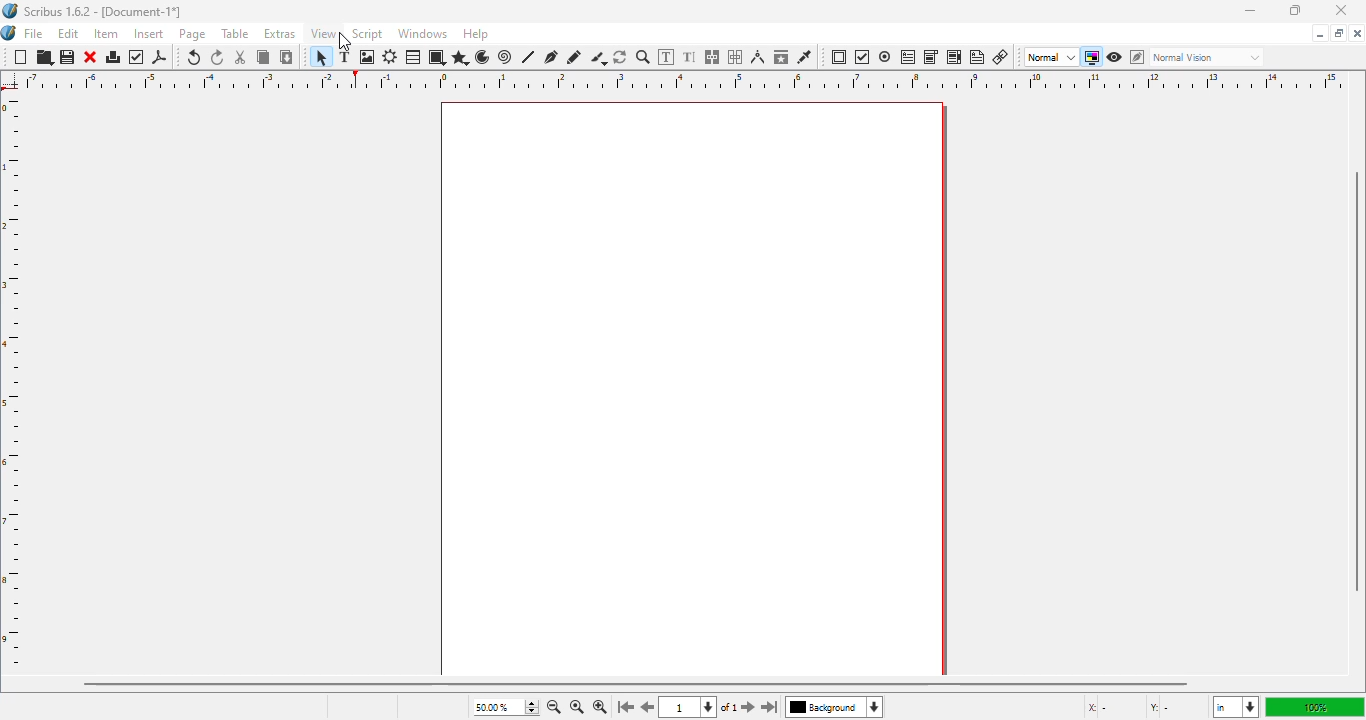 This screenshot has width=1366, height=720. Describe the element at coordinates (114, 57) in the screenshot. I see `print` at that location.